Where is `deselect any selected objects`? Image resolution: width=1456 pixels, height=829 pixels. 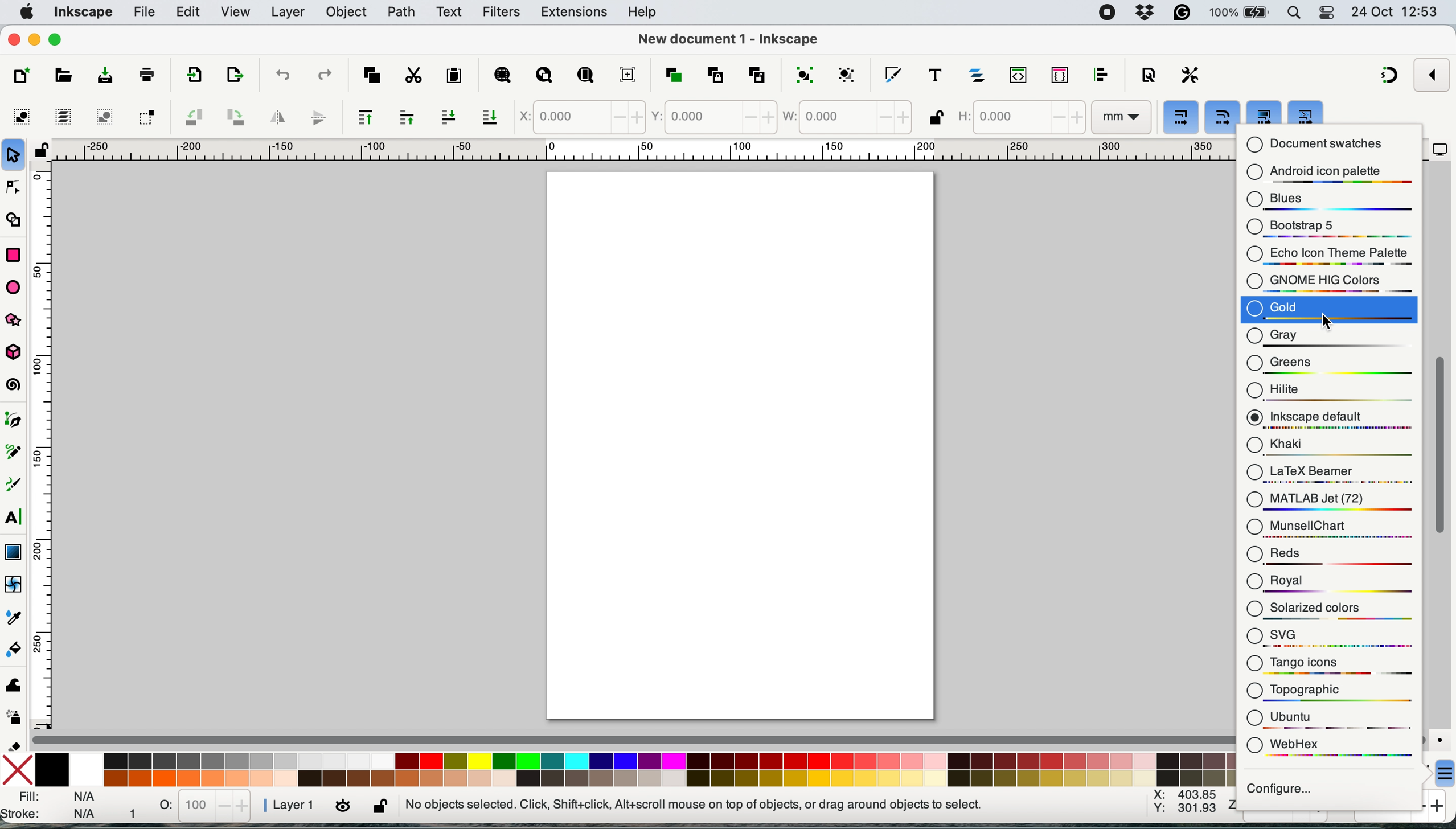
deselect any selected objects is located at coordinates (105, 118).